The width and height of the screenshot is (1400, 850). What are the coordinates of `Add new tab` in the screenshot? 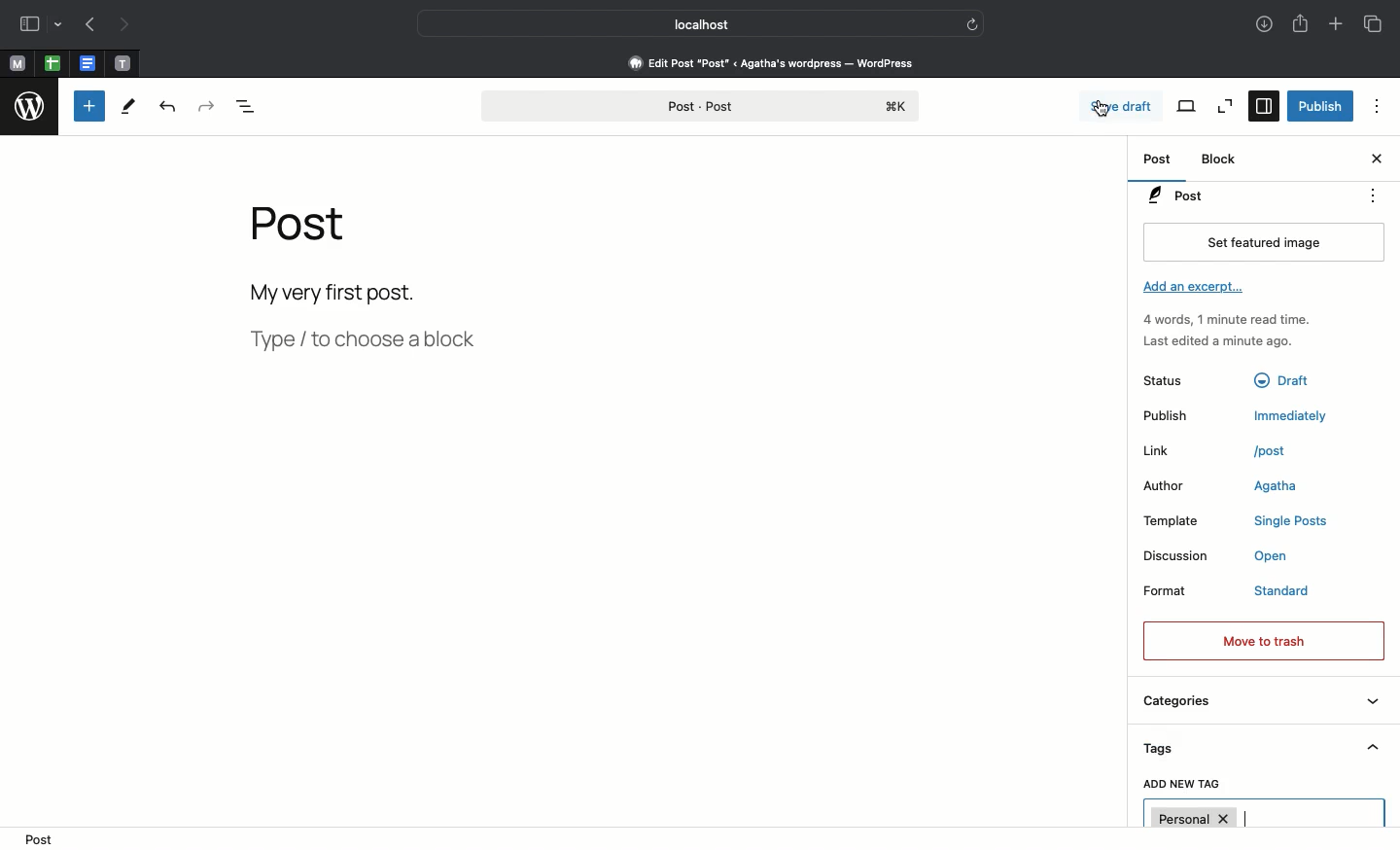 It's located at (1338, 27).